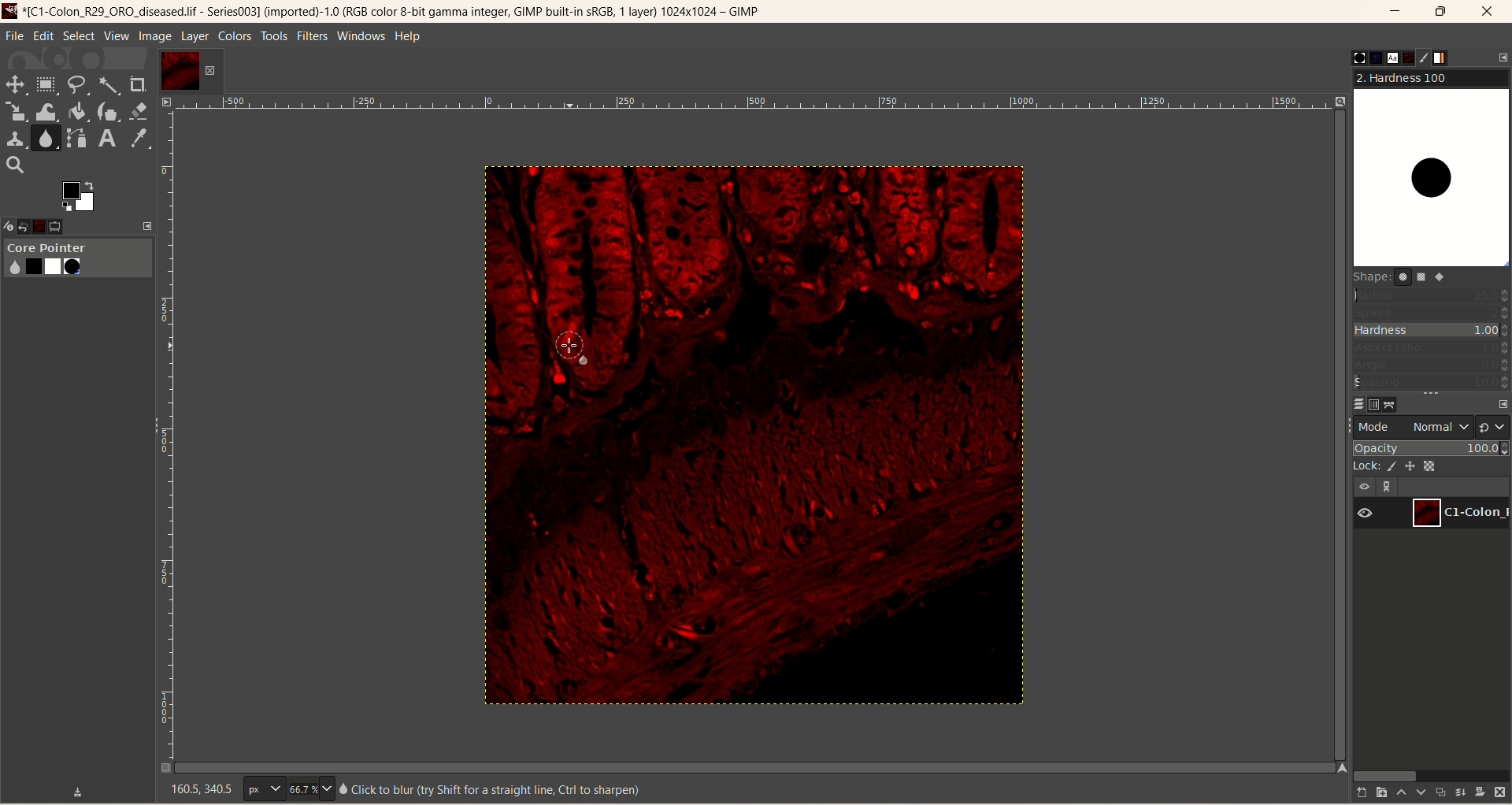 The height and width of the screenshot is (805, 1512). Describe the element at coordinates (12, 10) in the screenshot. I see `logo` at that location.